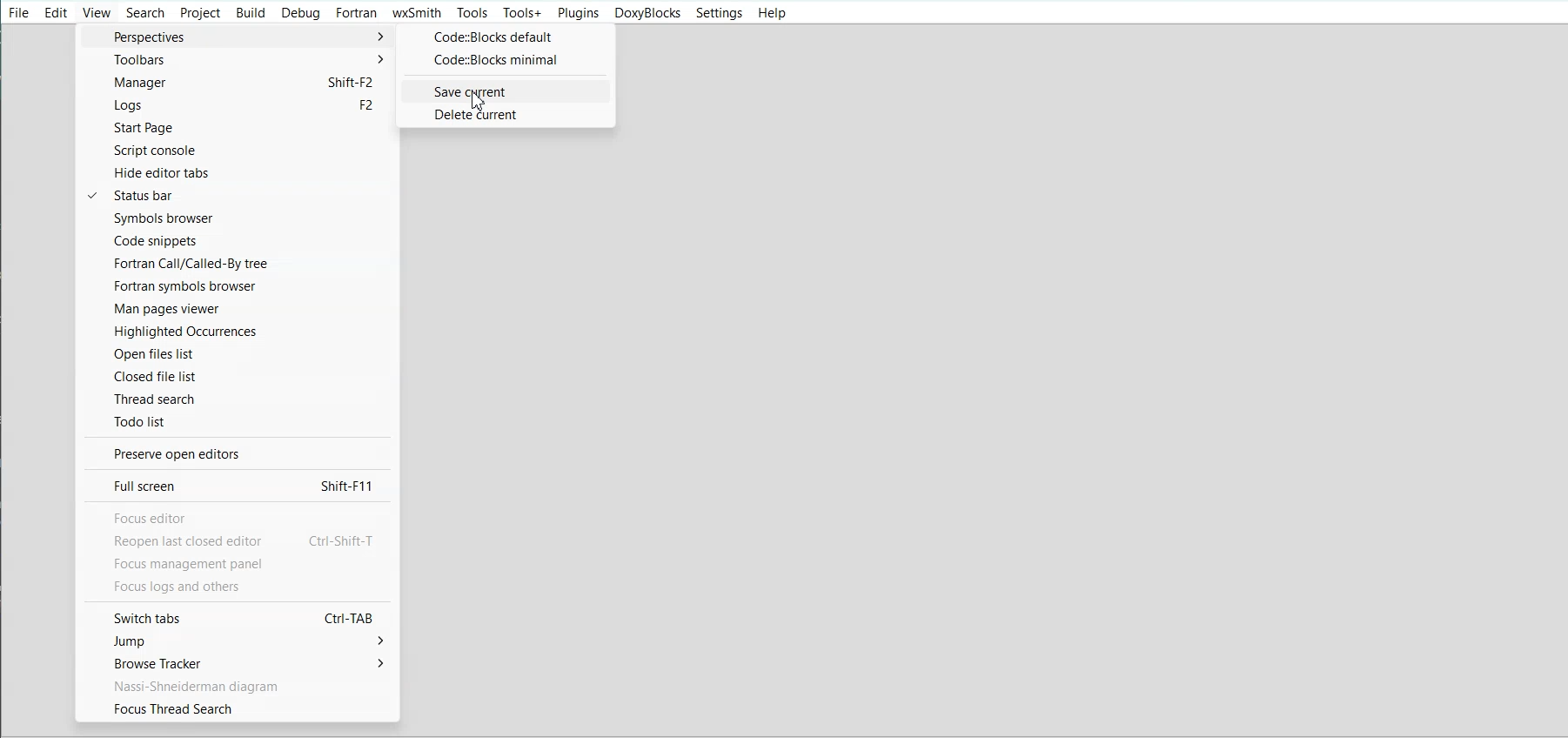  I want to click on Manager, so click(238, 84).